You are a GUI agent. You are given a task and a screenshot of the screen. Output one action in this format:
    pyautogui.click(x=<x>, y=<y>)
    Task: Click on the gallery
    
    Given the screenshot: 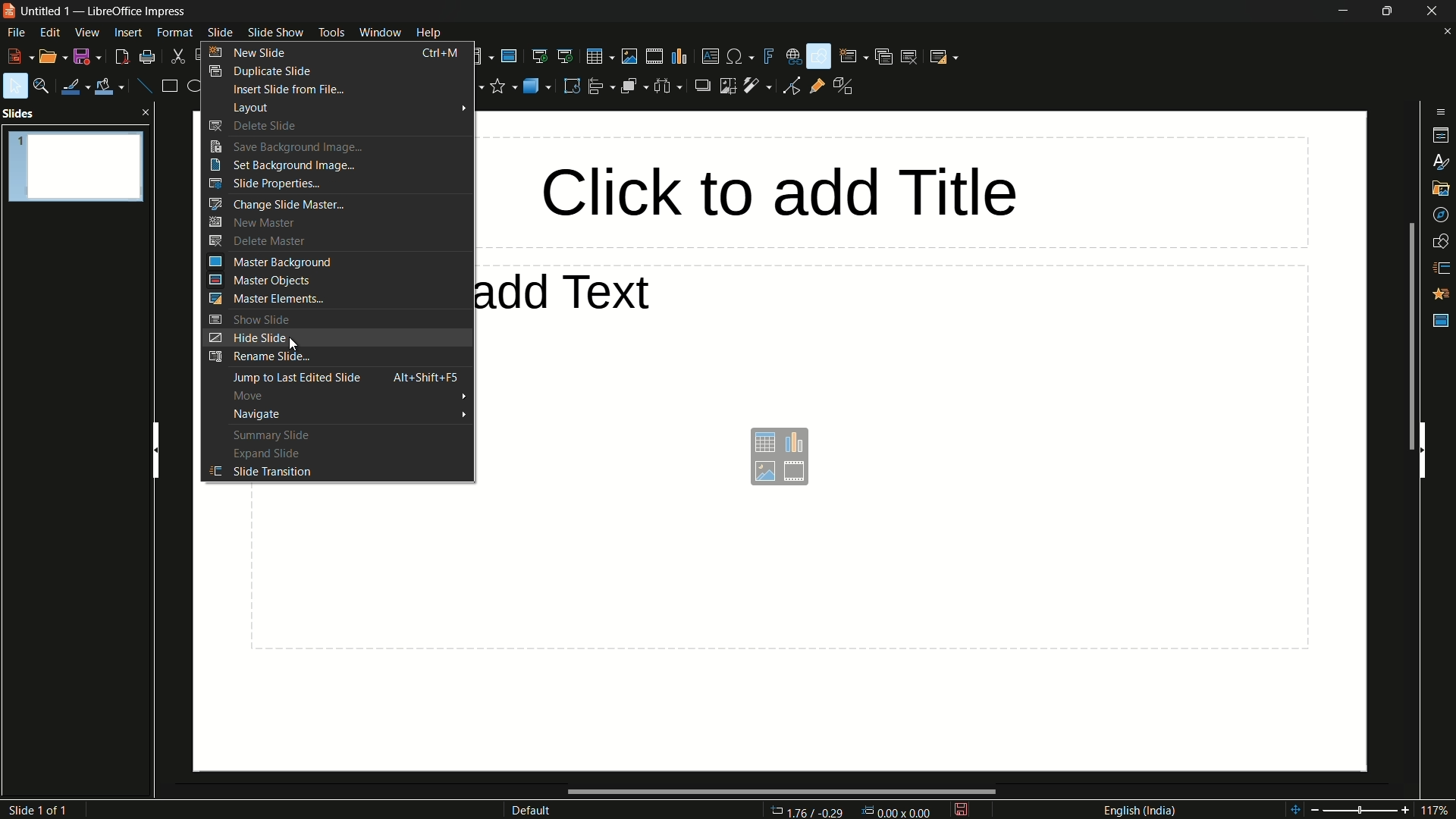 What is the action you would take?
    pyautogui.click(x=1439, y=187)
    